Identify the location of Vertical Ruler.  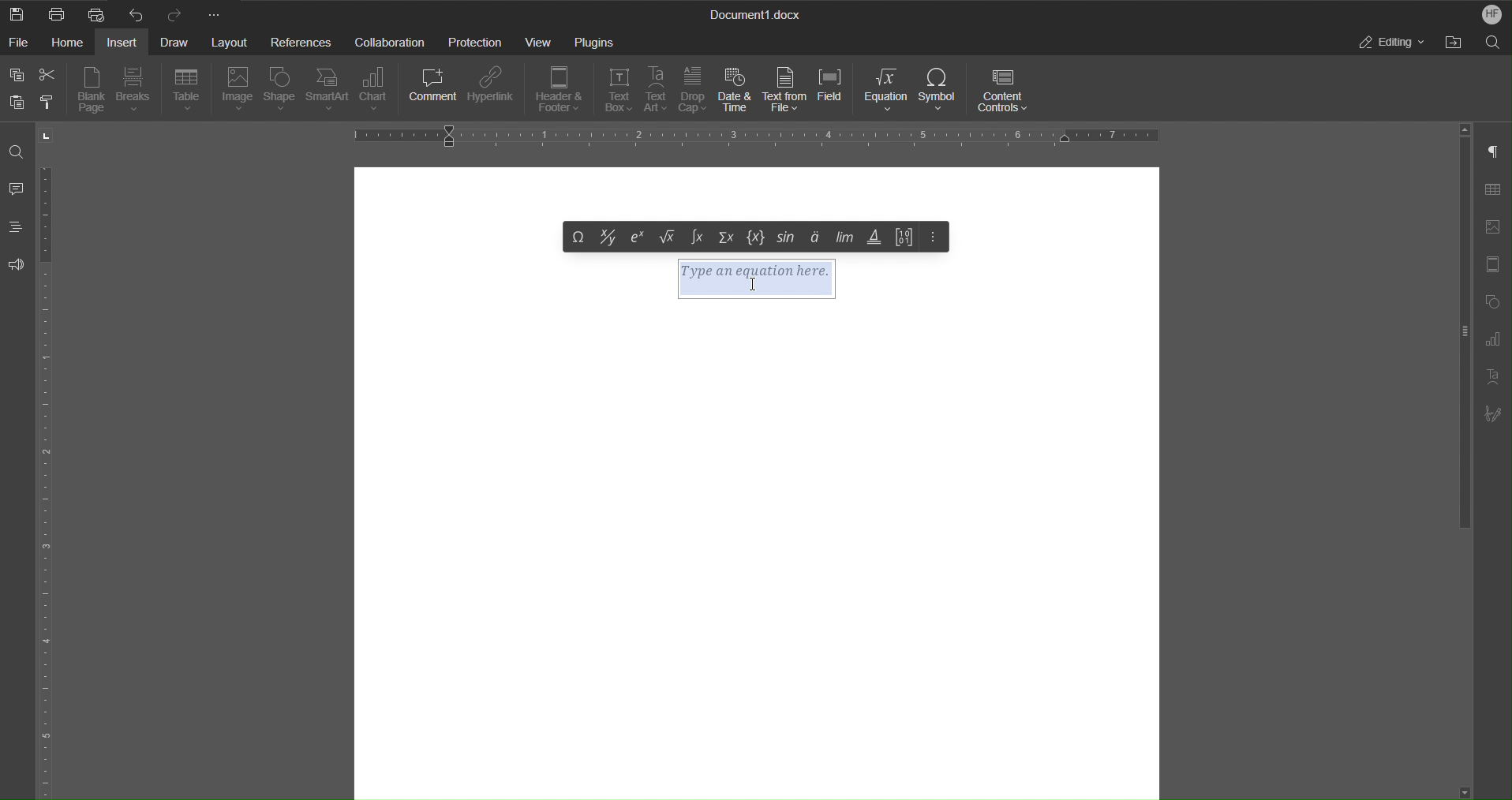
(42, 480).